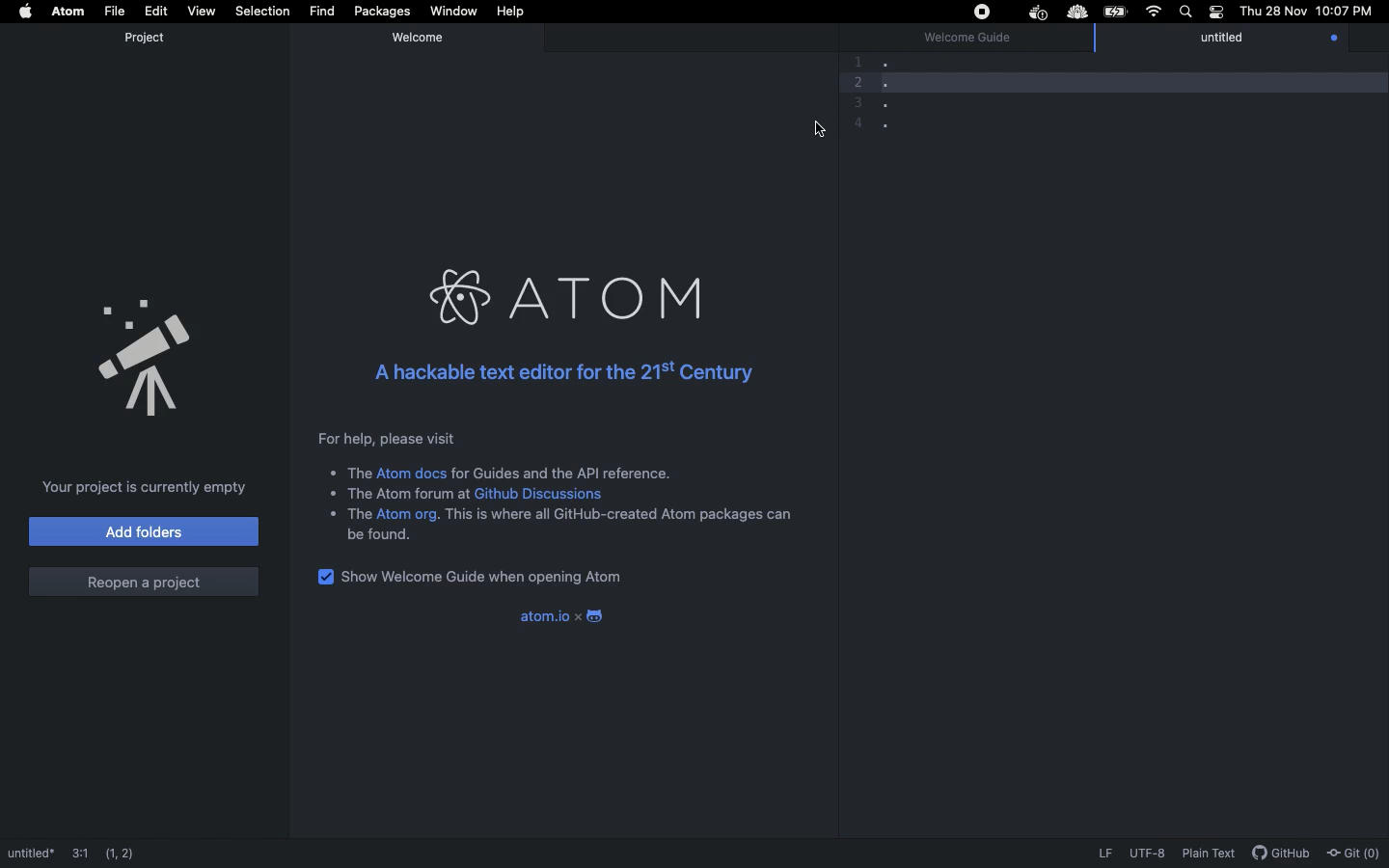 This screenshot has width=1389, height=868. What do you see at coordinates (1147, 854) in the screenshot?
I see `UTF-8` at bounding box center [1147, 854].